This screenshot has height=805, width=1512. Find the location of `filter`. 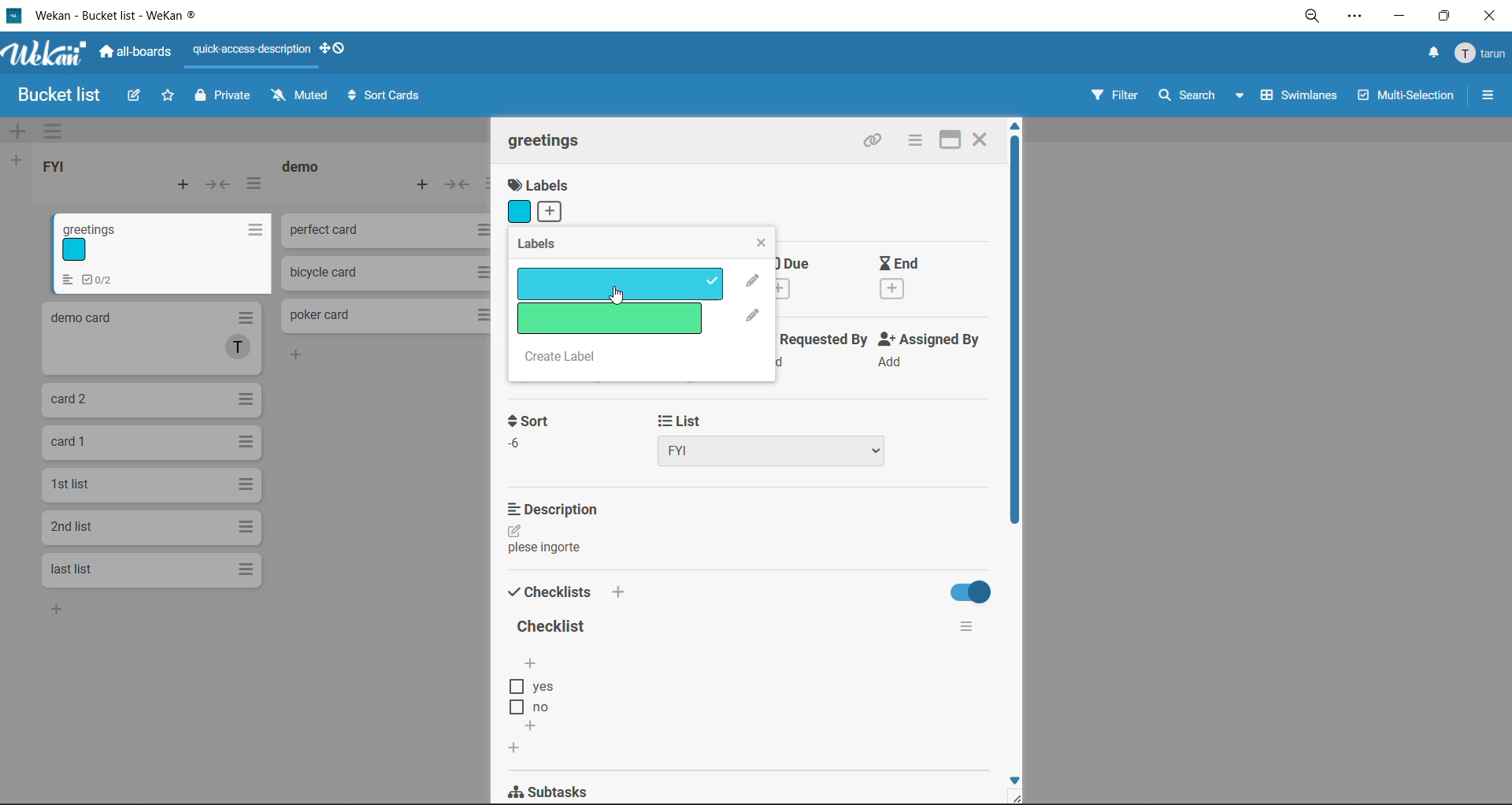

filter is located at coordinates (1114, 101).